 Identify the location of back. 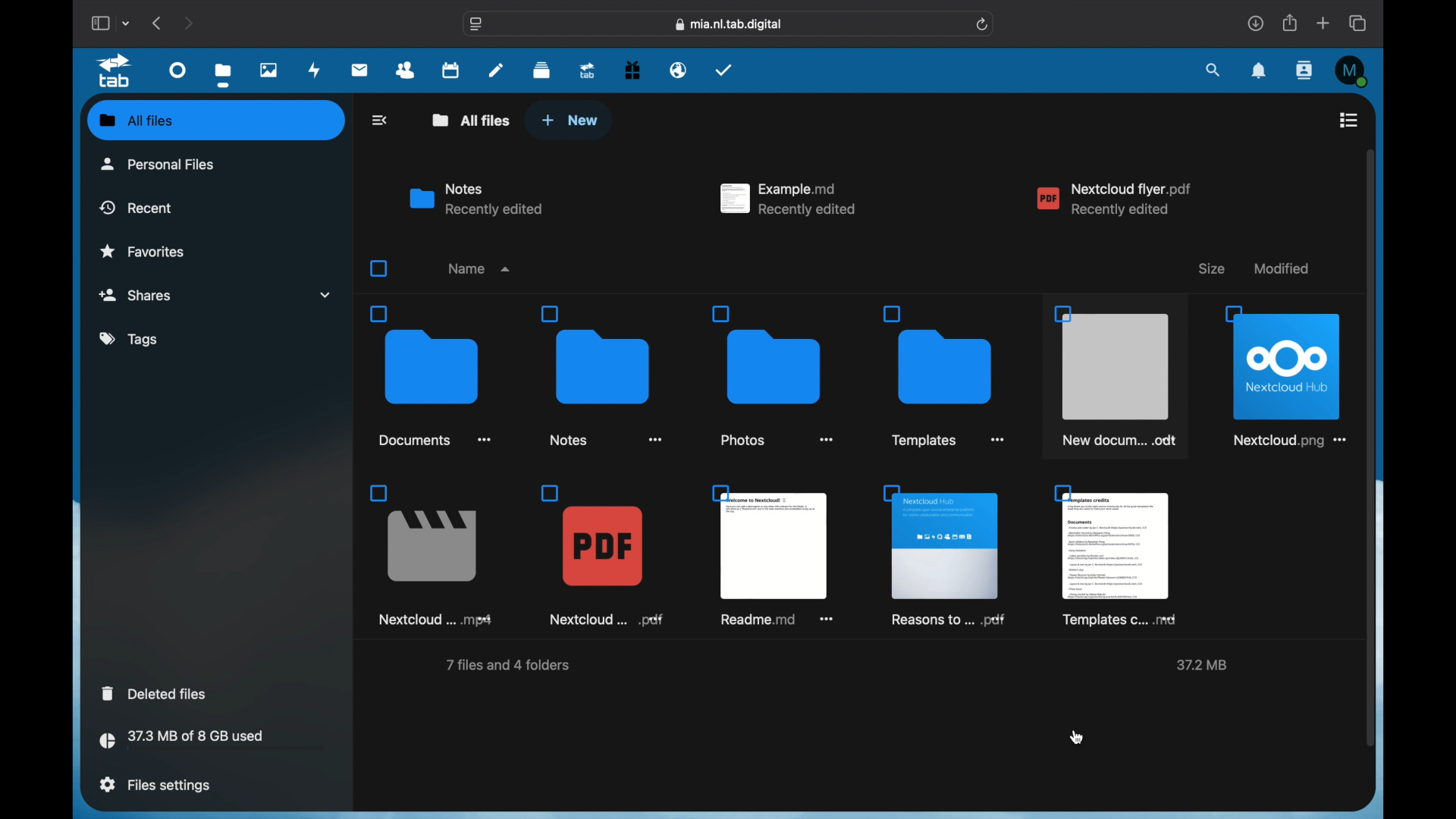
(381, 120).